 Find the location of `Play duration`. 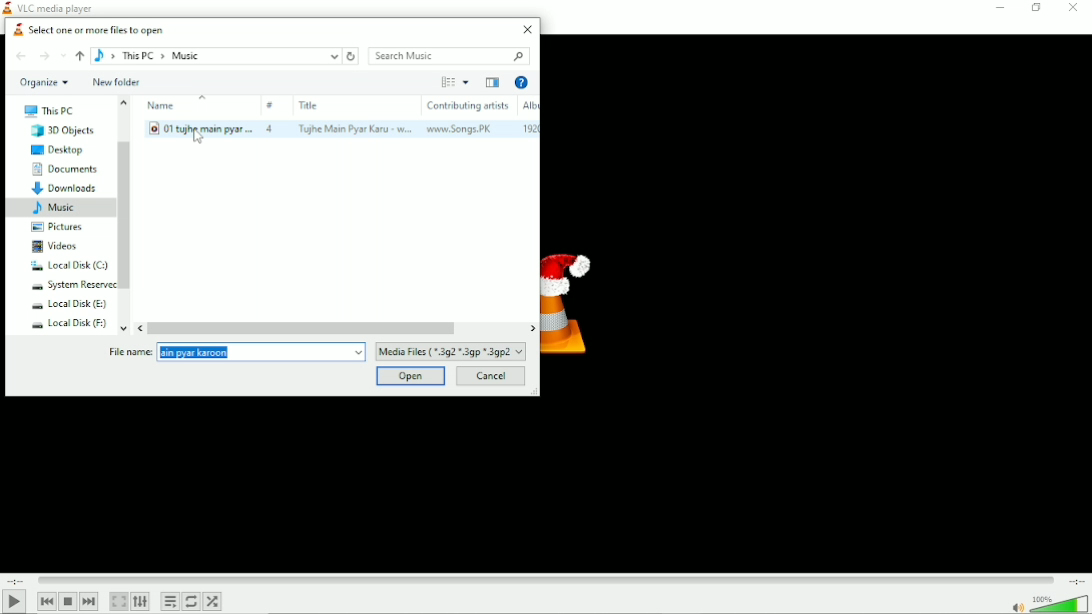

Play duration is located at coordinates (545, 581).